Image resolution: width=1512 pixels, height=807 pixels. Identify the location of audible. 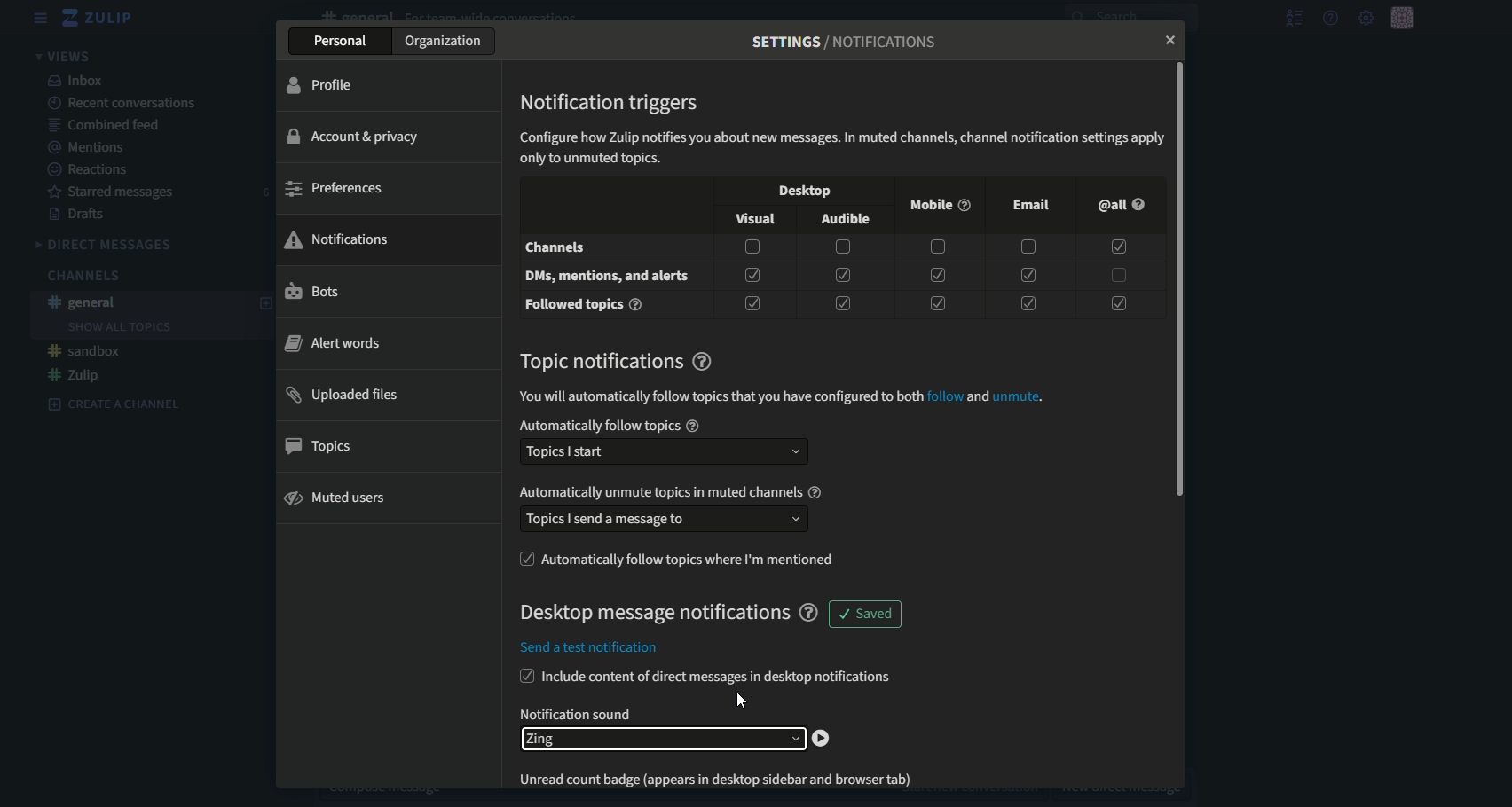
(847, 221).